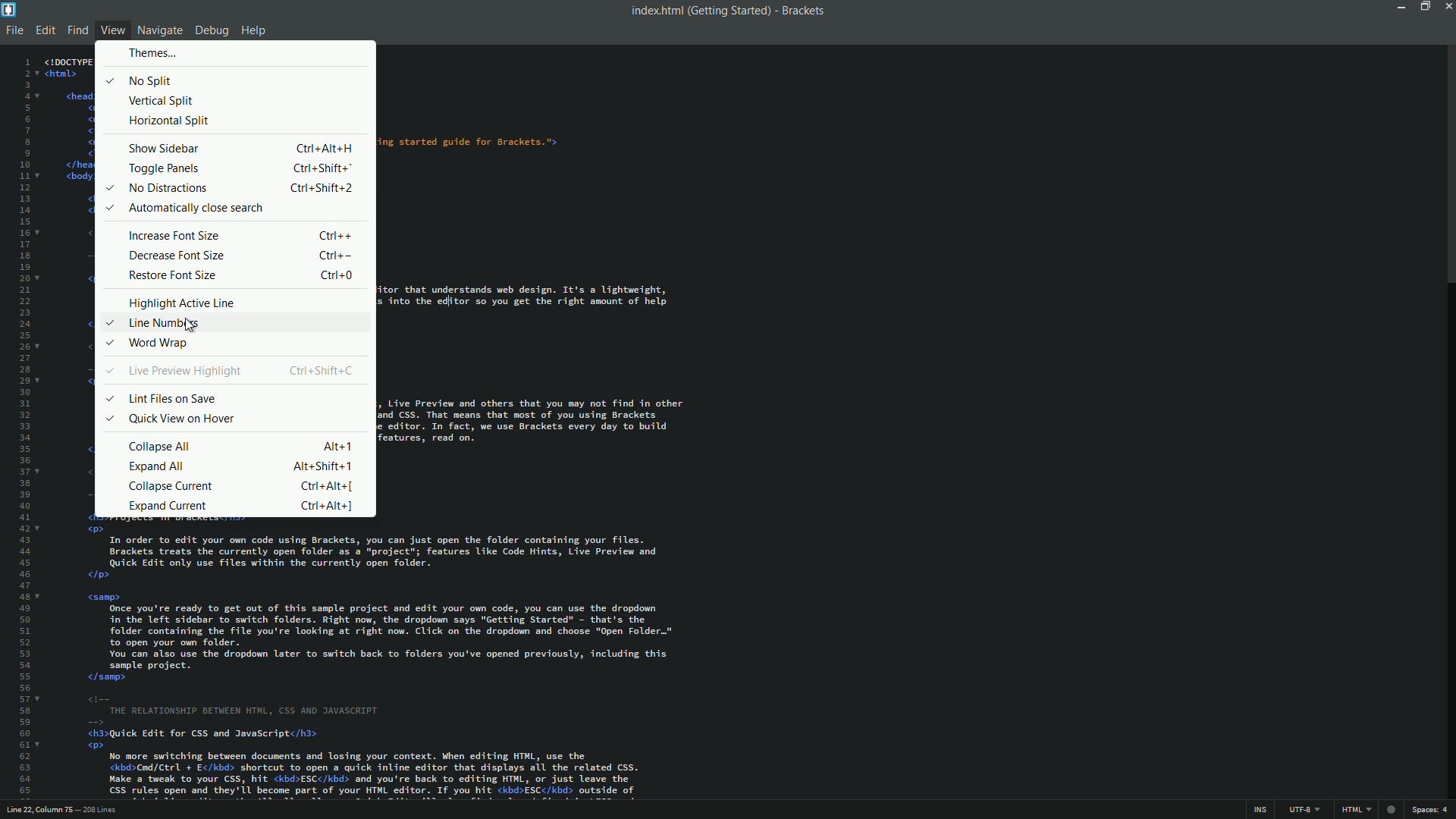 The height and width of the screenshot is (819, 1456). What do you see at coordinates (15, 32) in the screenshot?
I see `file` at bounding box center [15, 32].